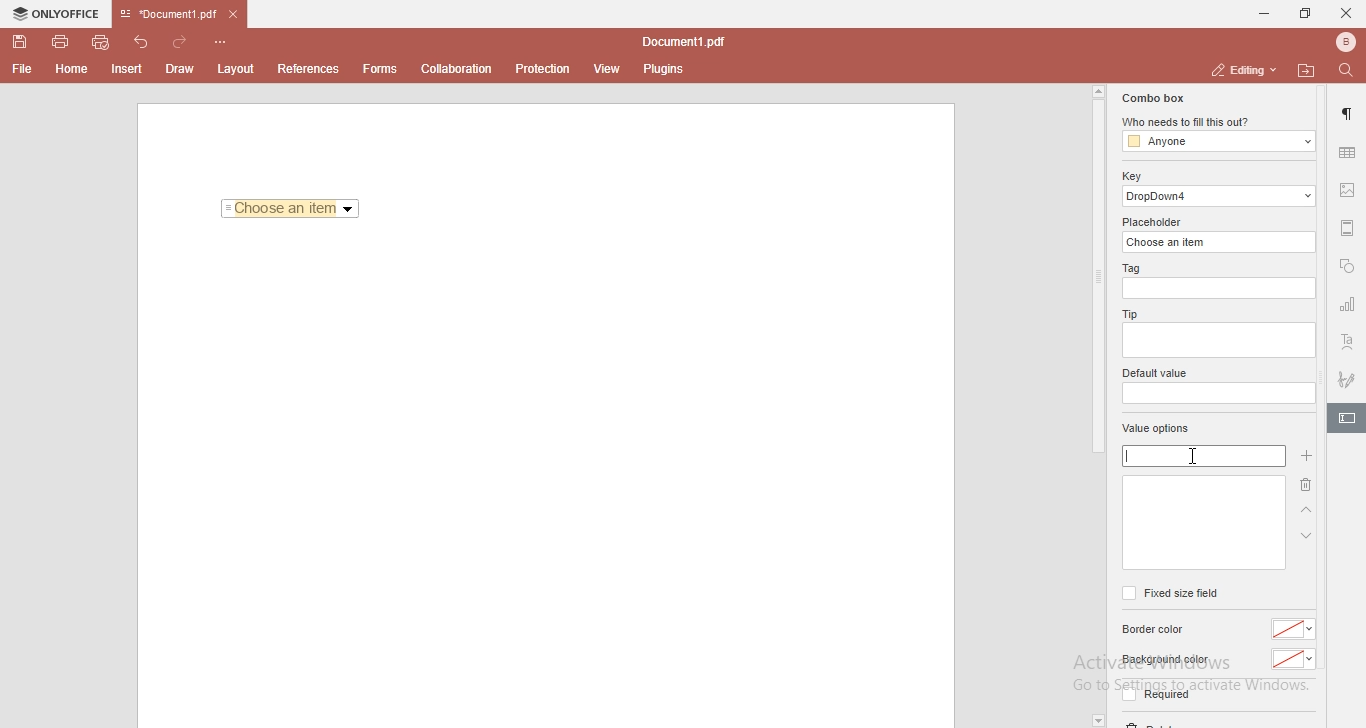  Describe the element at coordinates (1217, 342) in the screenshot. I see `empty box` at that location.